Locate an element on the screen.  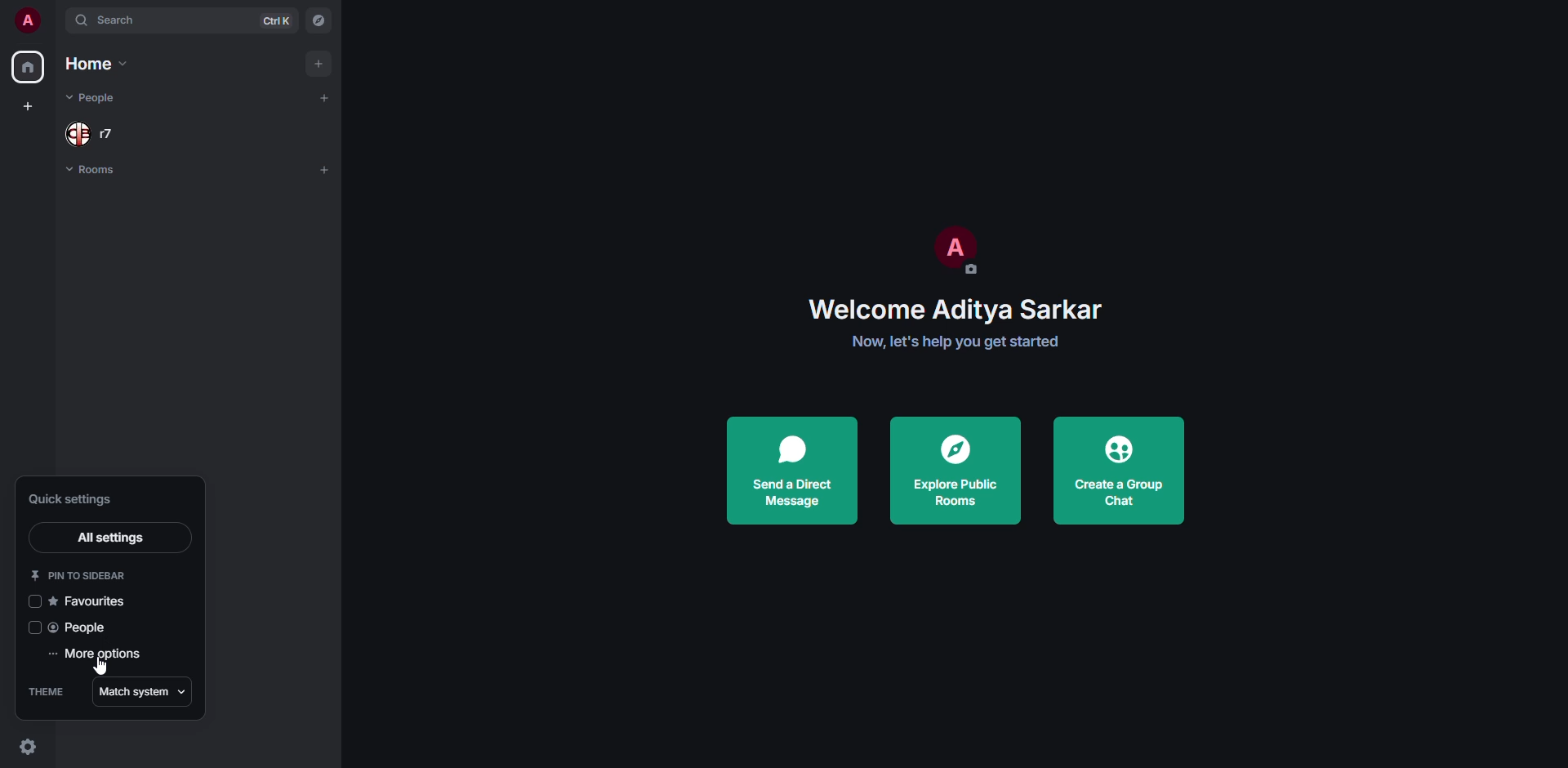
quick settings is located at coordinates (28, 745).